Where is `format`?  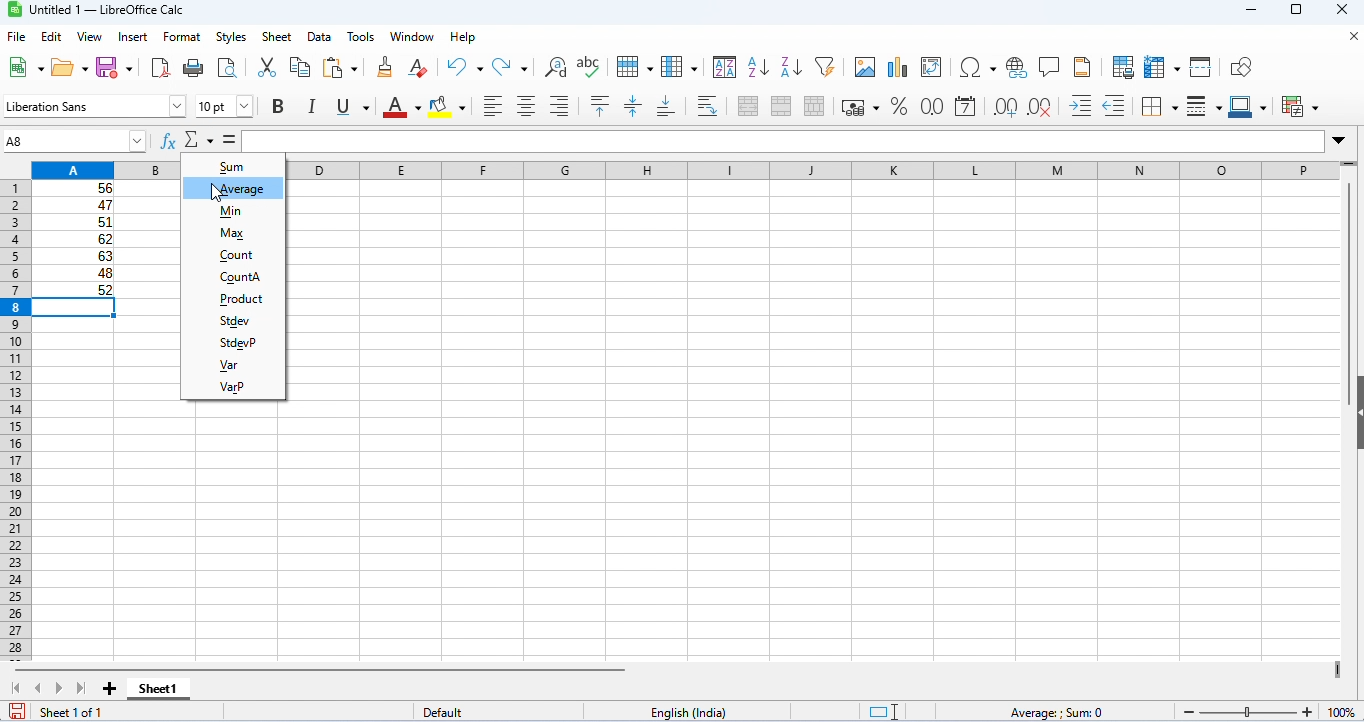 format is located at coordinates (182, 38).